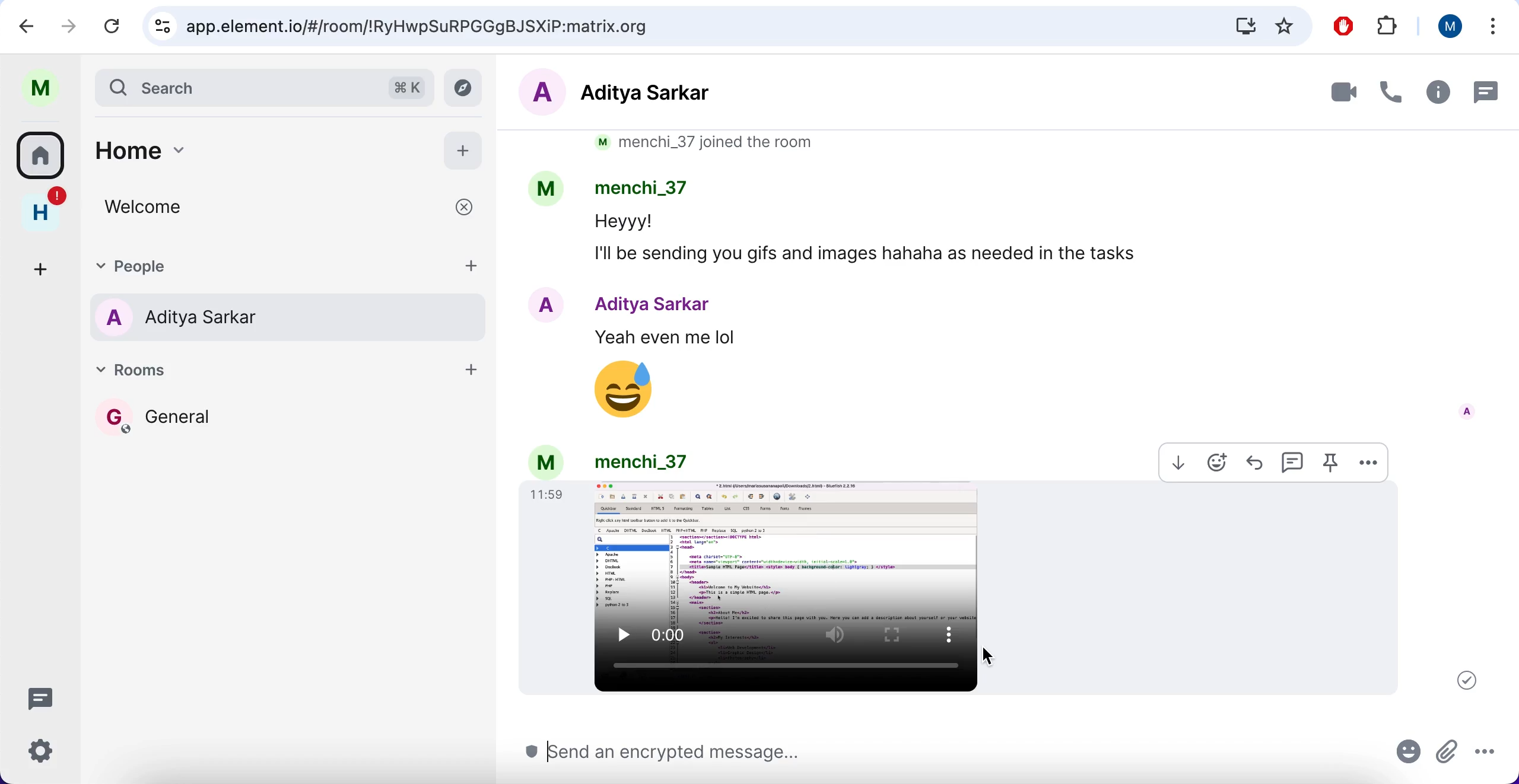  I want to click on options, so click(1492, 27).